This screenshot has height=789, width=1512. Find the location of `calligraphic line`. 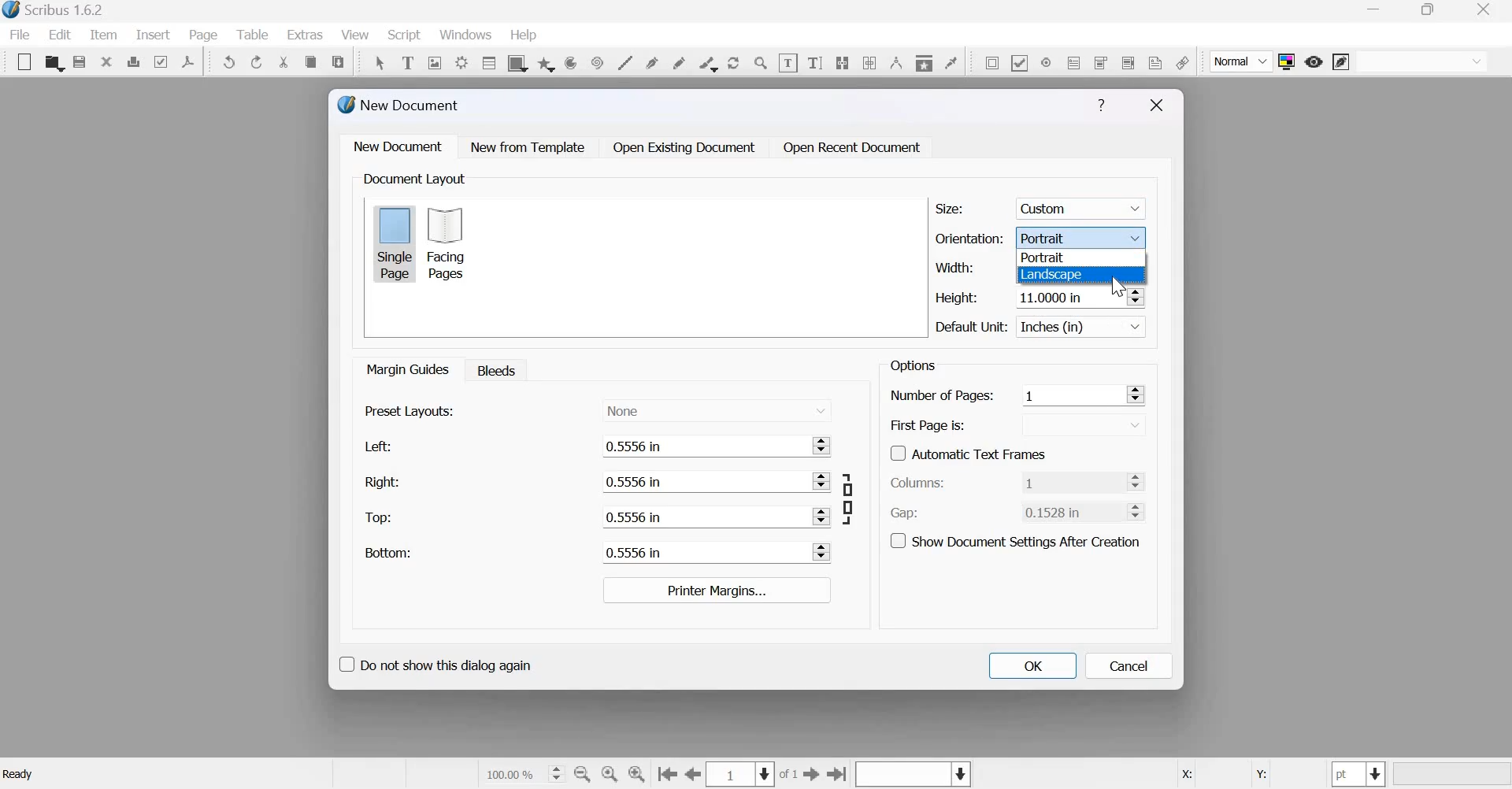

calligraphic line is located at coordinates (706, 62).